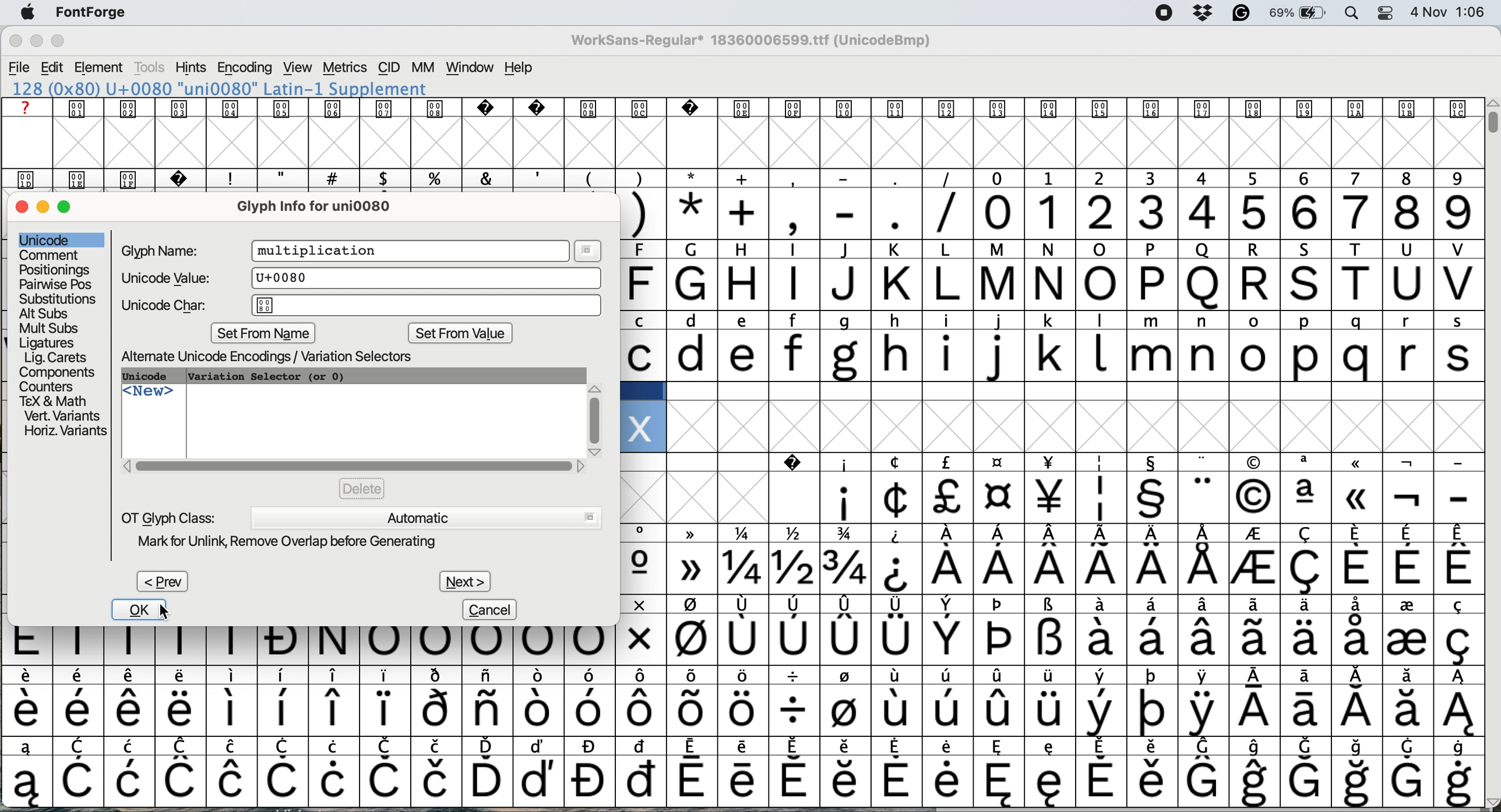 The height and width of the screenshot is (812, 1501). I want to click on prev, so click(161, 581).